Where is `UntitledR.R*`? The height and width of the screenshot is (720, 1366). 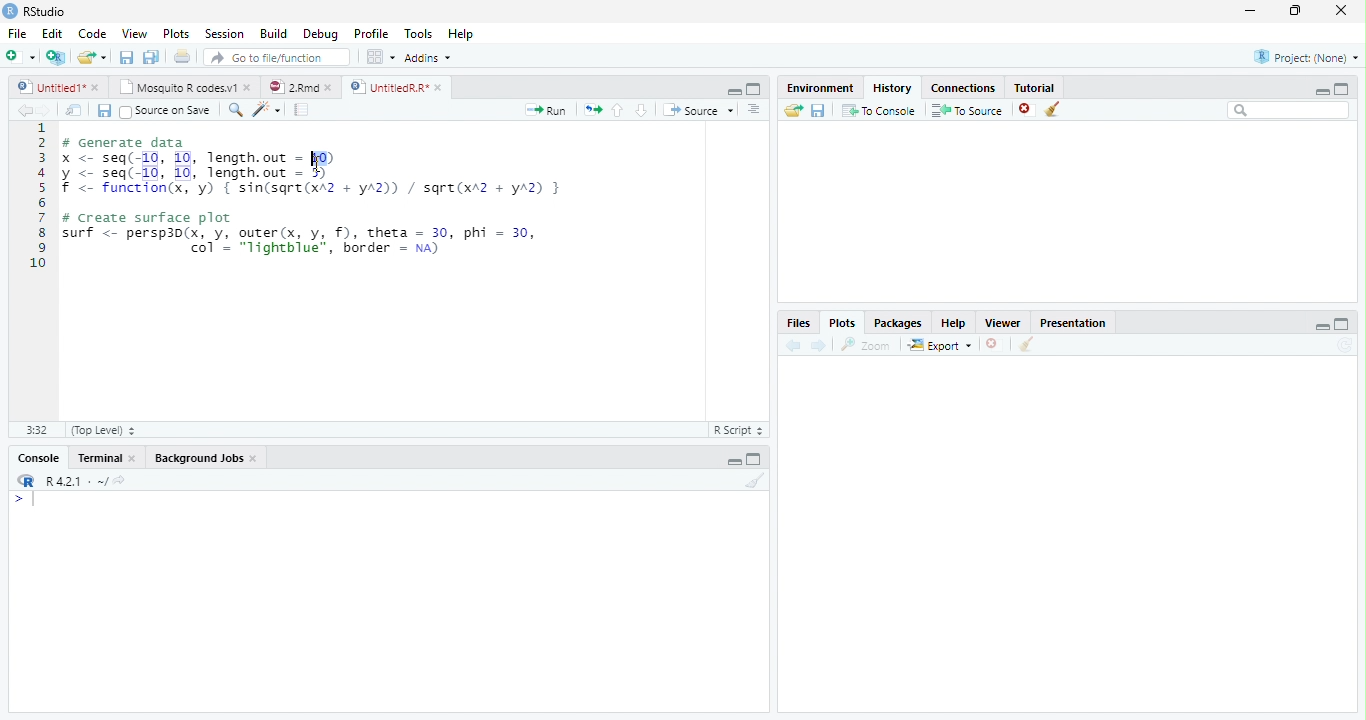 UntitledR.R* is located at coordinates (387, 87).